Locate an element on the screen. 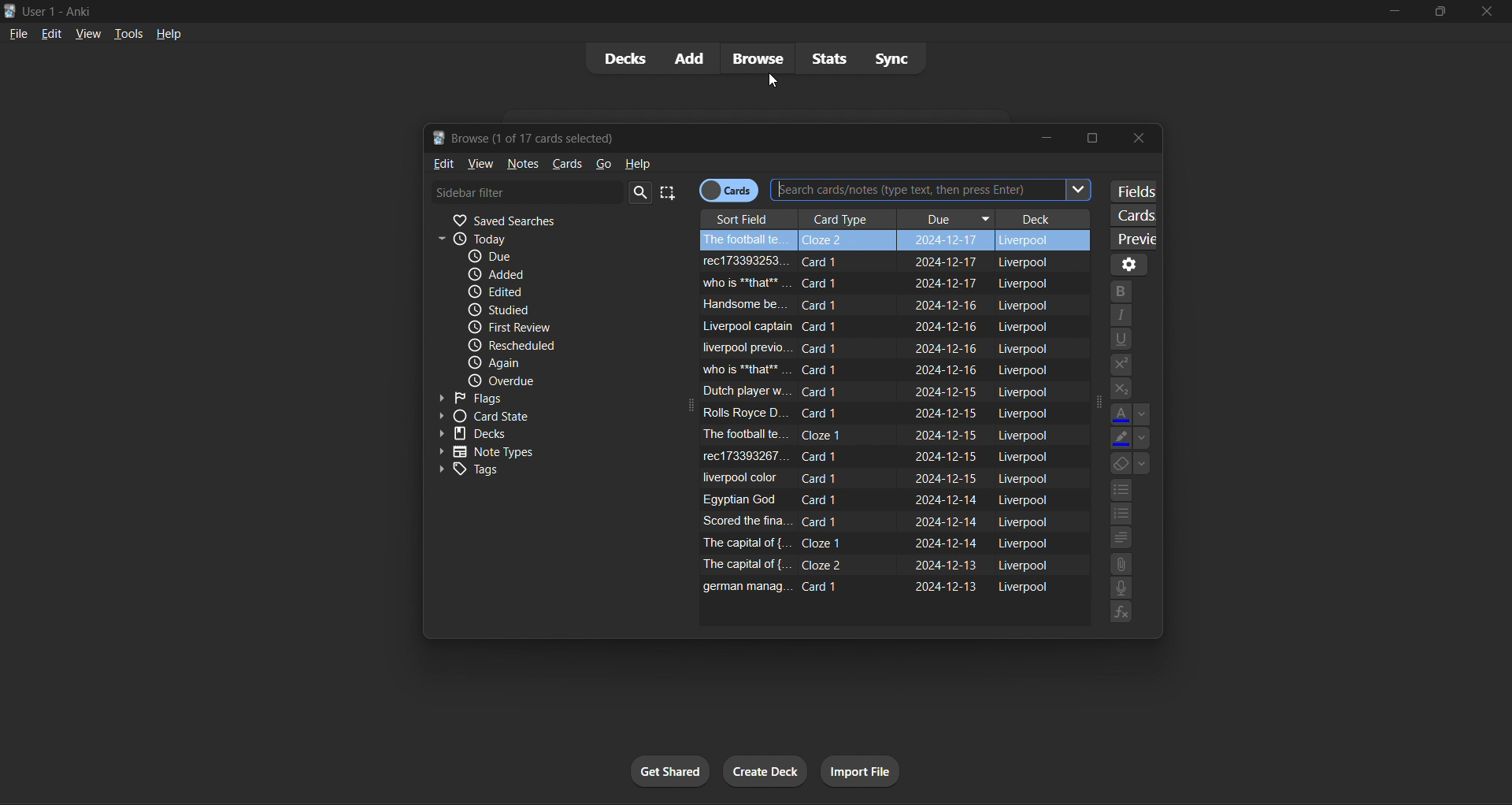 The width and height of the screenshot is (1512, 805). options is located at coordinates (1145, 440).